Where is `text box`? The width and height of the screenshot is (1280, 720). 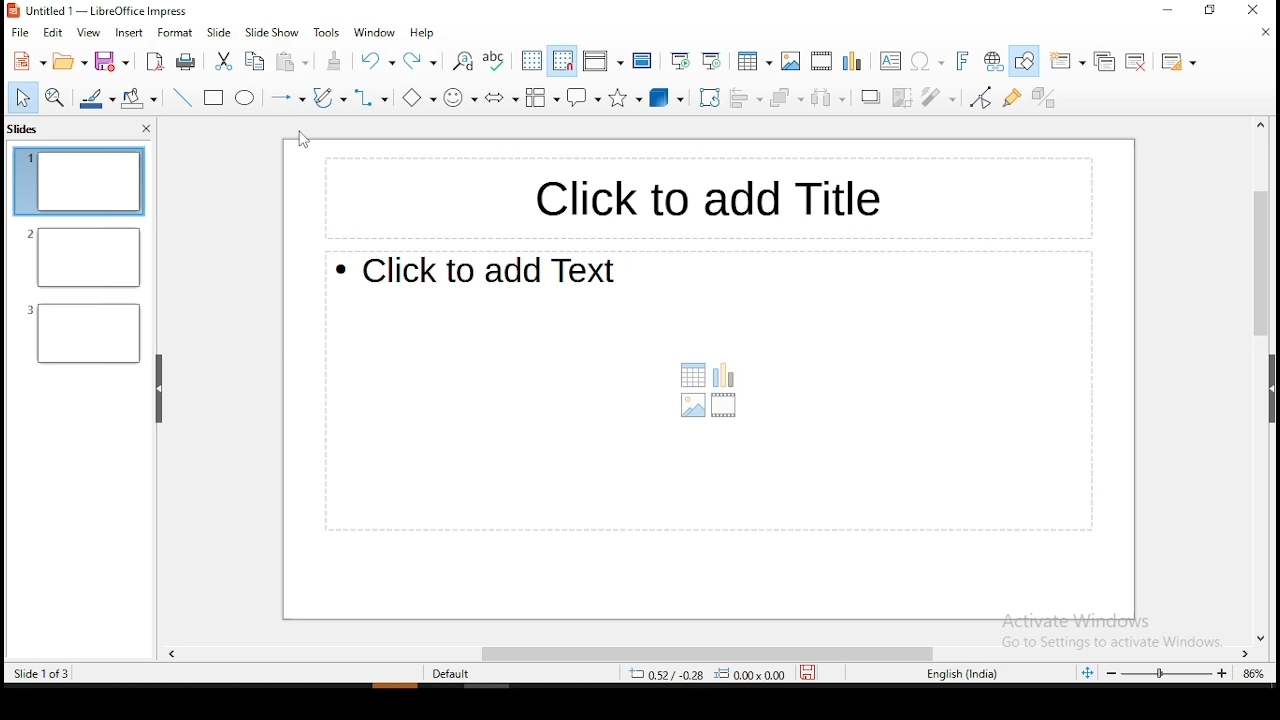
text box is located at coordinates (704, 396).